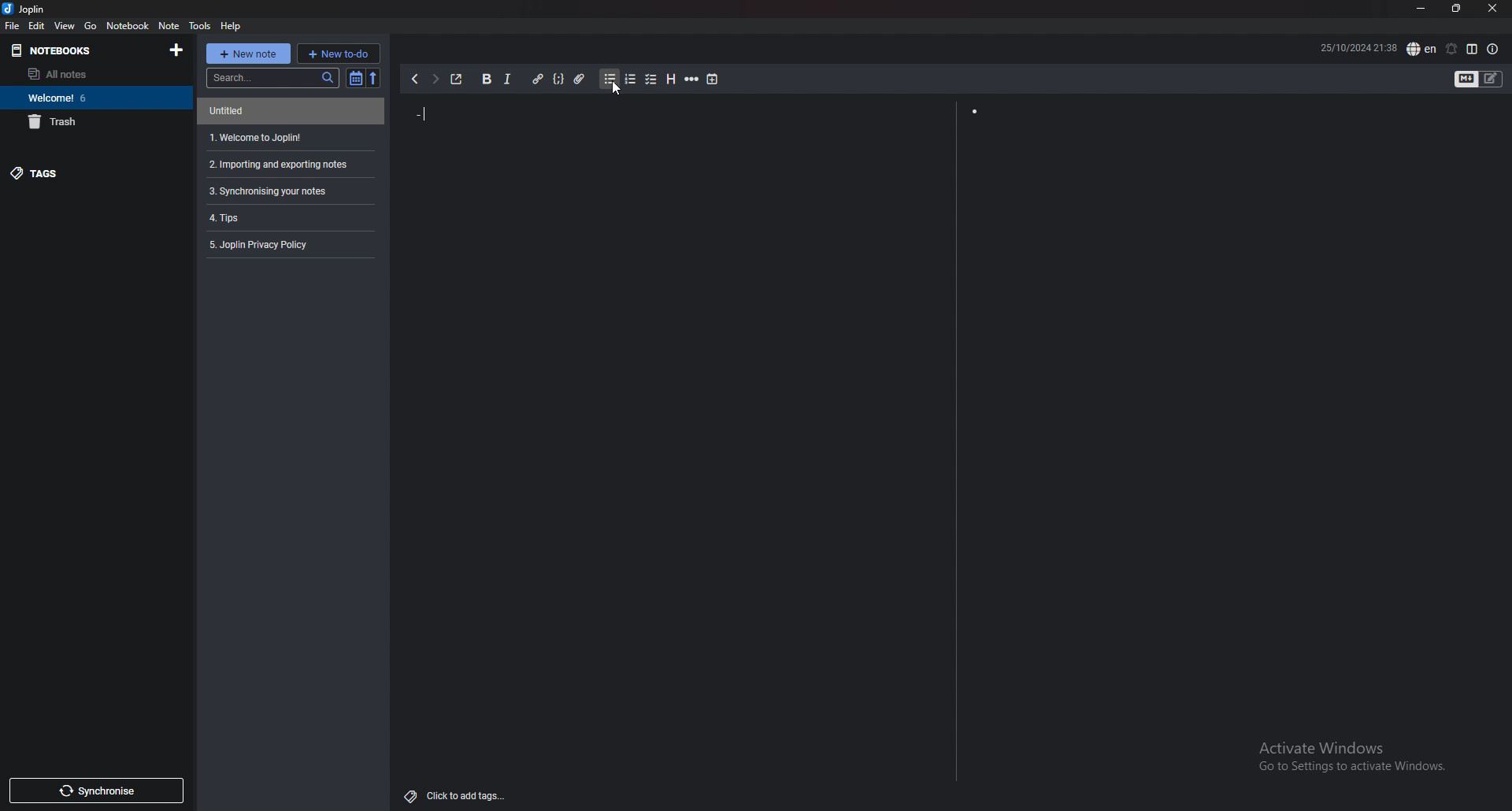 The image size is (1512, 811). Describe the element at coordinates (1455, 12) in the screenshot. I see `maximize` at that location.